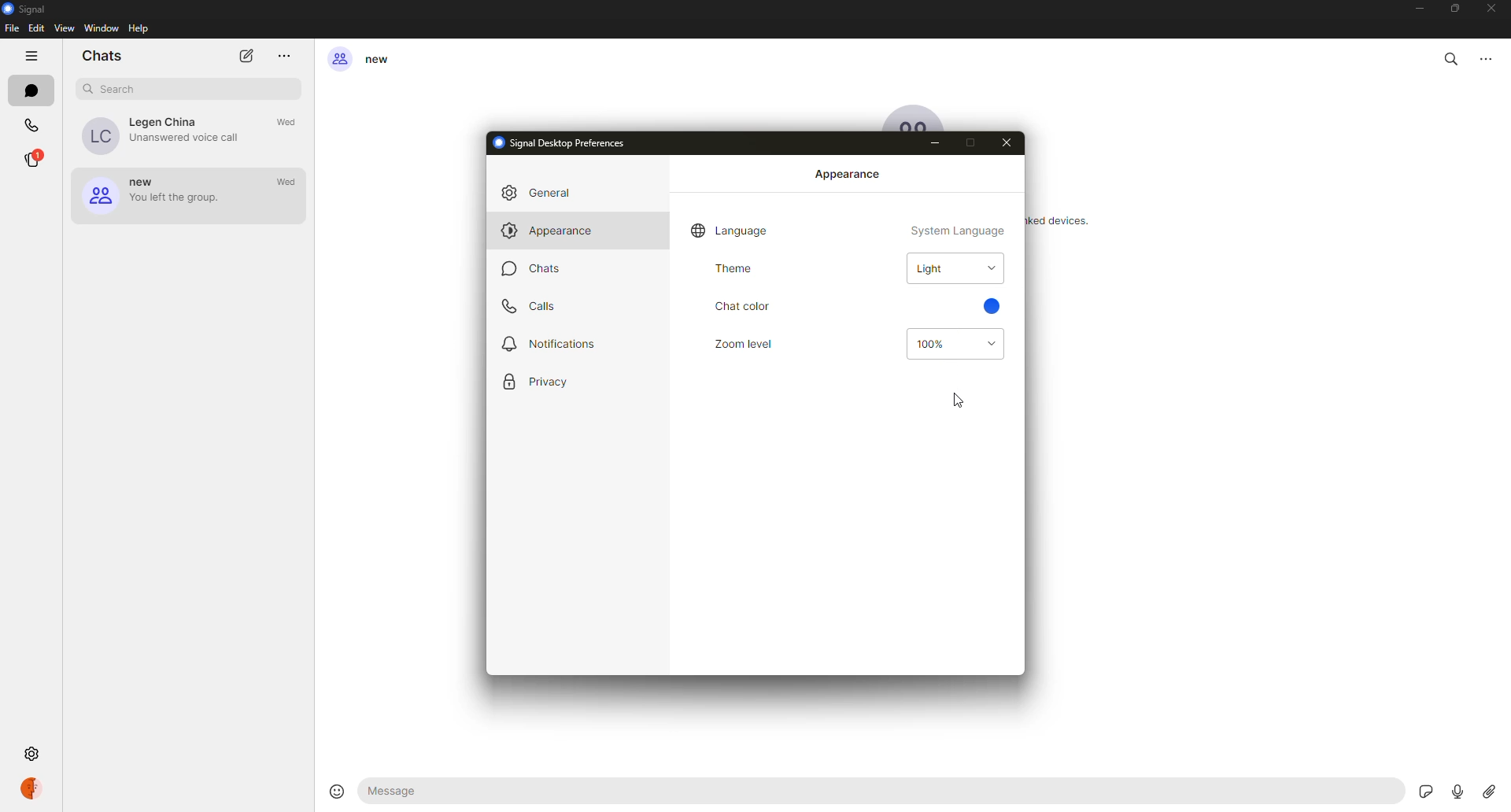 The height and width of the screenshot is (812, 1511). What do you see at coordinates (102, 29) in the screenshot?
I see `window` at bounding box center [102, 29].